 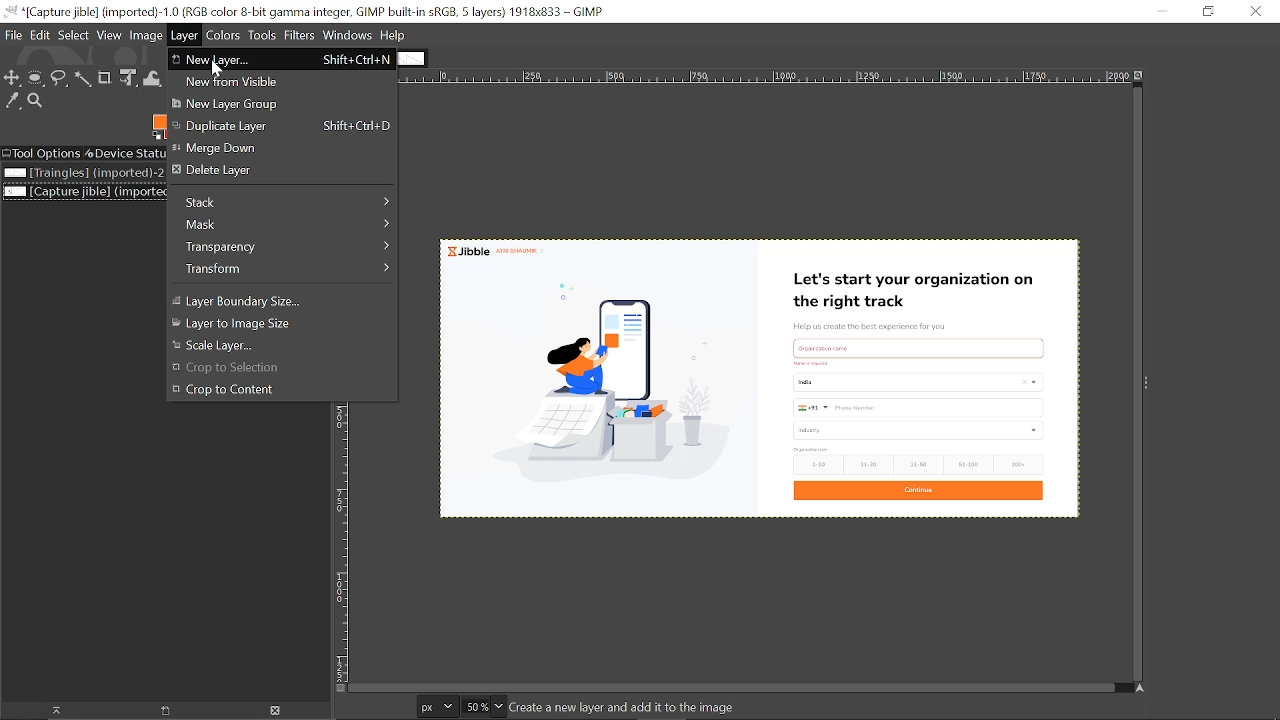 What do you see at coordinates (38, 35) in the screenshot?
I see `Edit` at bounding box center [38, 35].